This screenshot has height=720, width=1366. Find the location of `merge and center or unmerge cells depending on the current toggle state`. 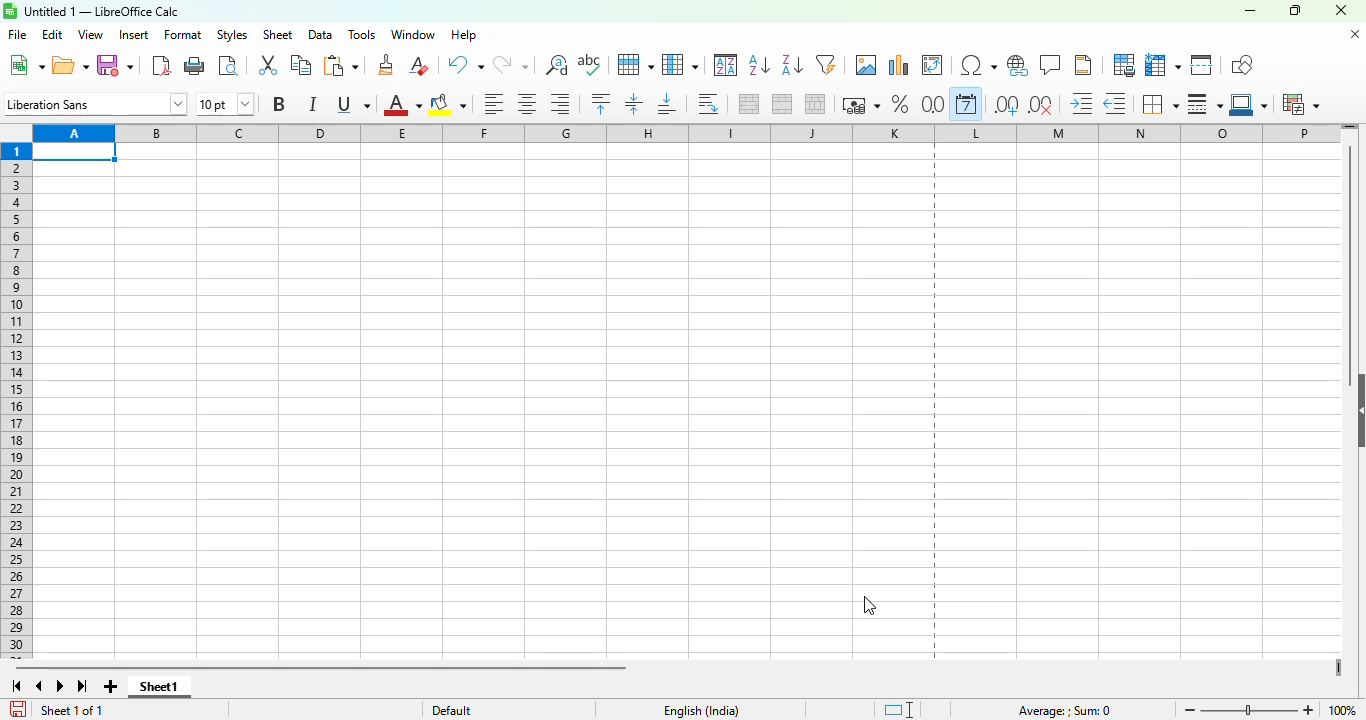

merge and center or unmerge cells depending on the current toggle state is located at coordinates (750, 104).